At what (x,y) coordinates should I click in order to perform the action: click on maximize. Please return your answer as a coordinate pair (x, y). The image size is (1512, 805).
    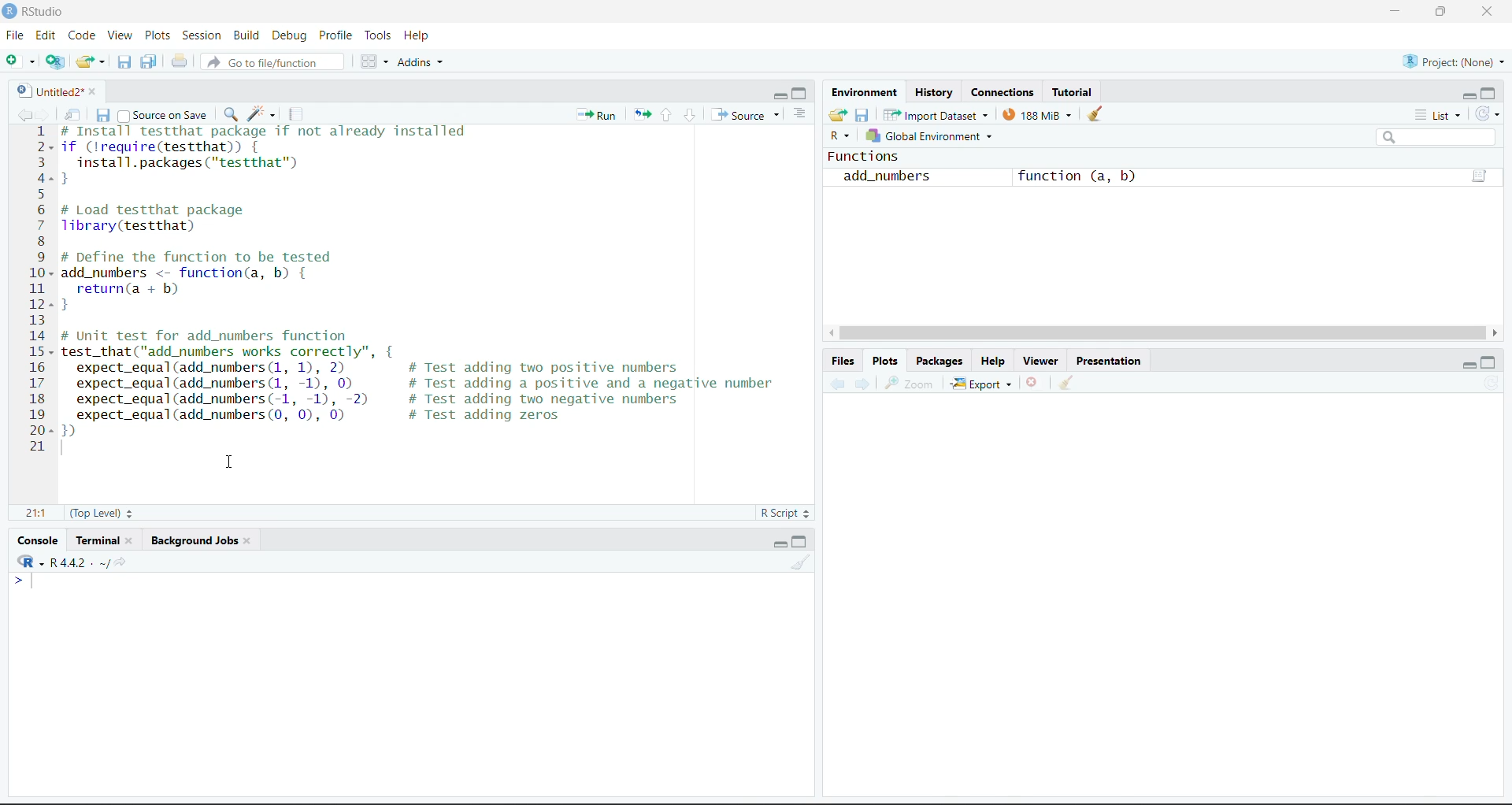
    Looking at the image, I should click on (802, 93).